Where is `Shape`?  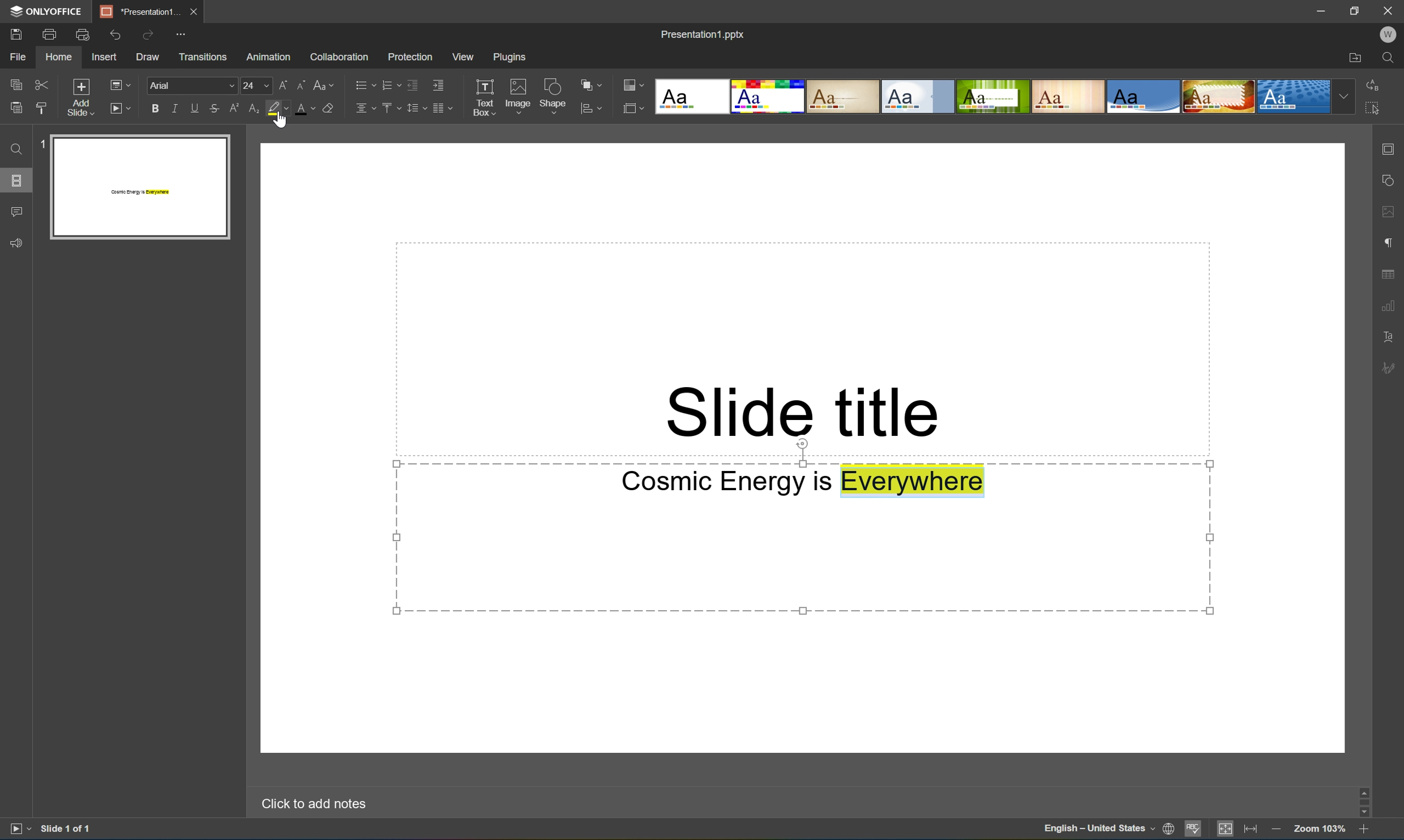 Shape is located at coordinates (553, 95).